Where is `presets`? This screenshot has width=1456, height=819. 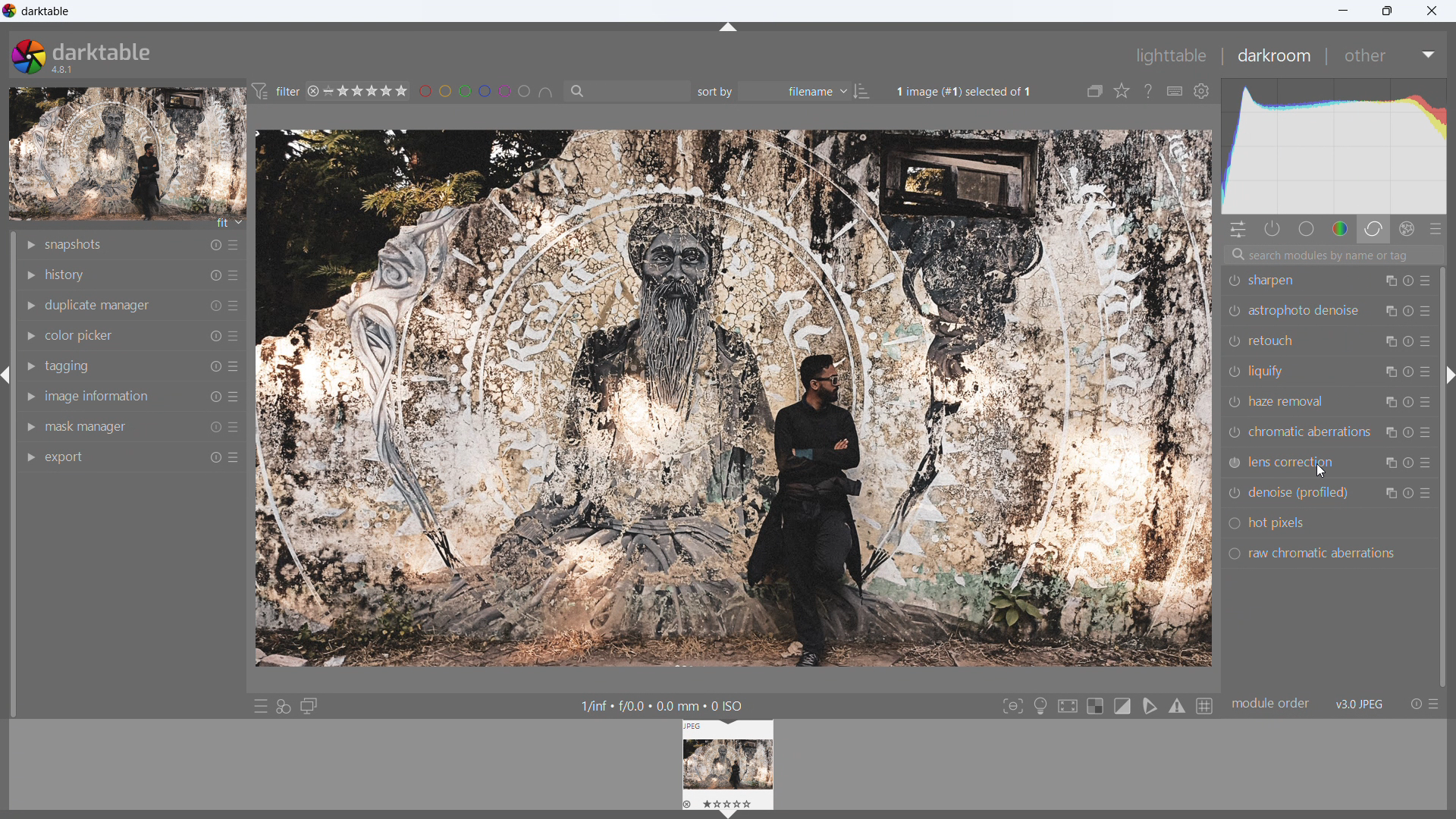
presets is located at coordinates (1438, 704).